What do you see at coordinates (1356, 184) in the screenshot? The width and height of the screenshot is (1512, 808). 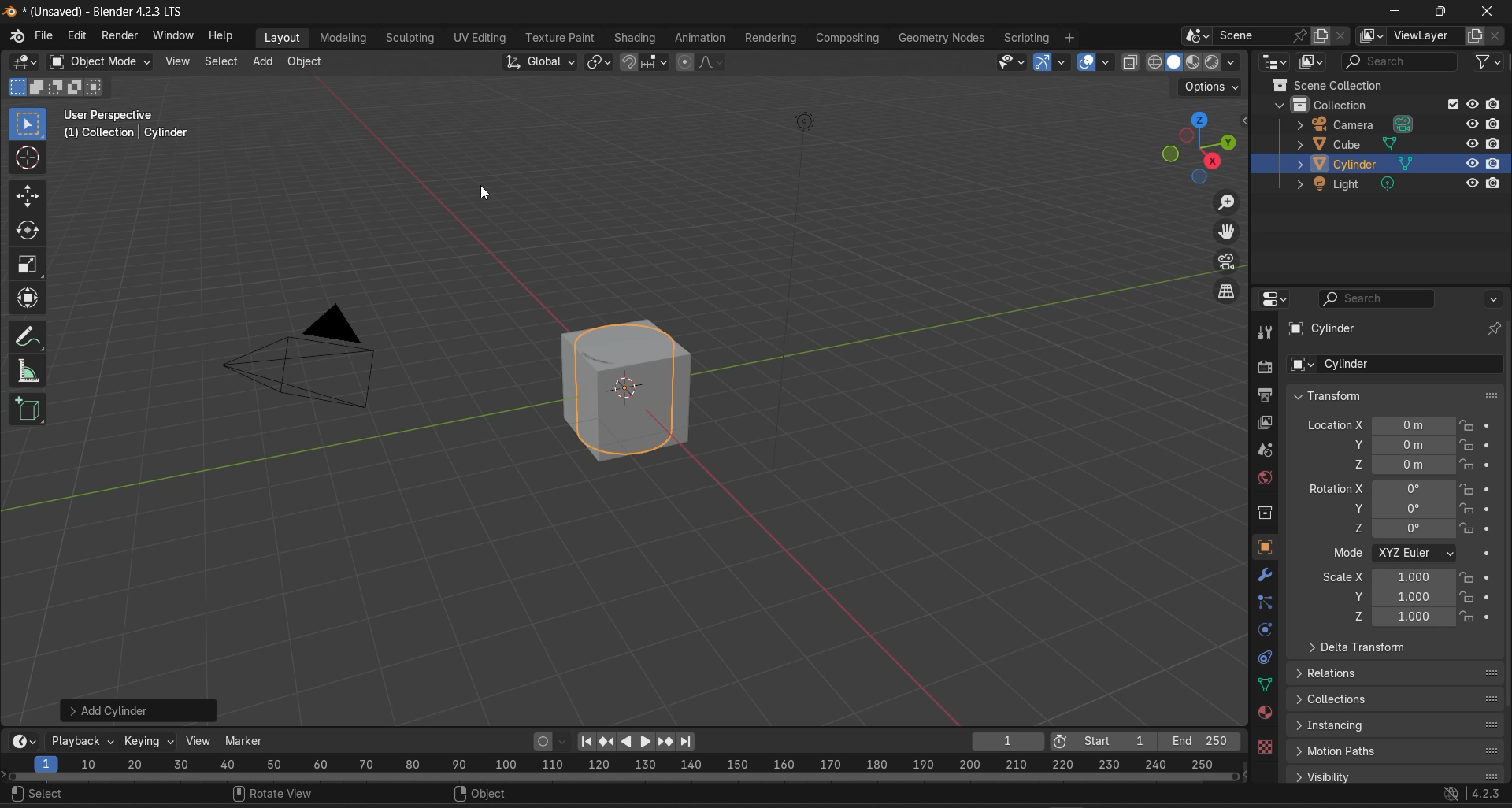 I see `light` at bounding box center [1356, 184].